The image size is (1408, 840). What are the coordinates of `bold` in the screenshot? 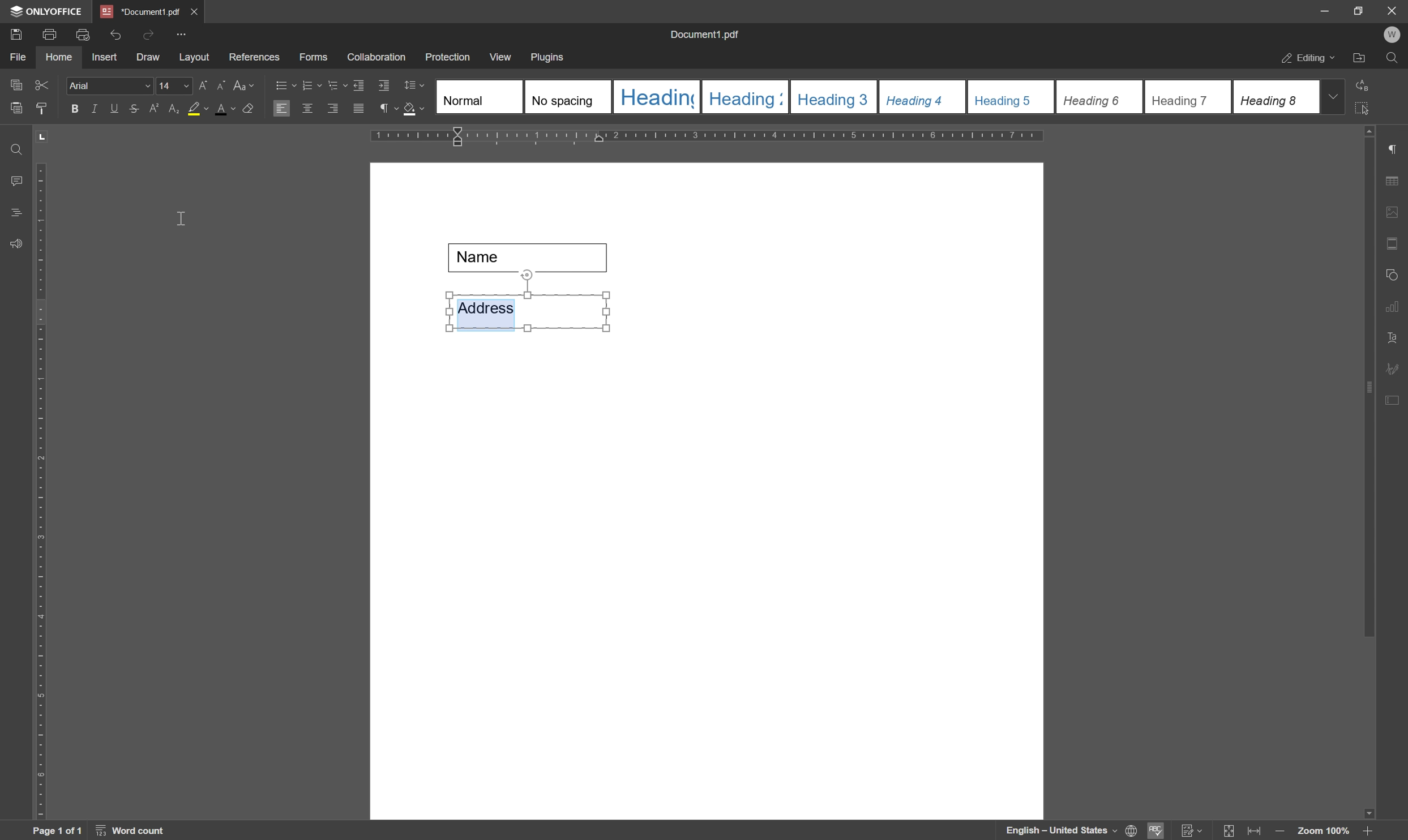 It's located at (71, 109).